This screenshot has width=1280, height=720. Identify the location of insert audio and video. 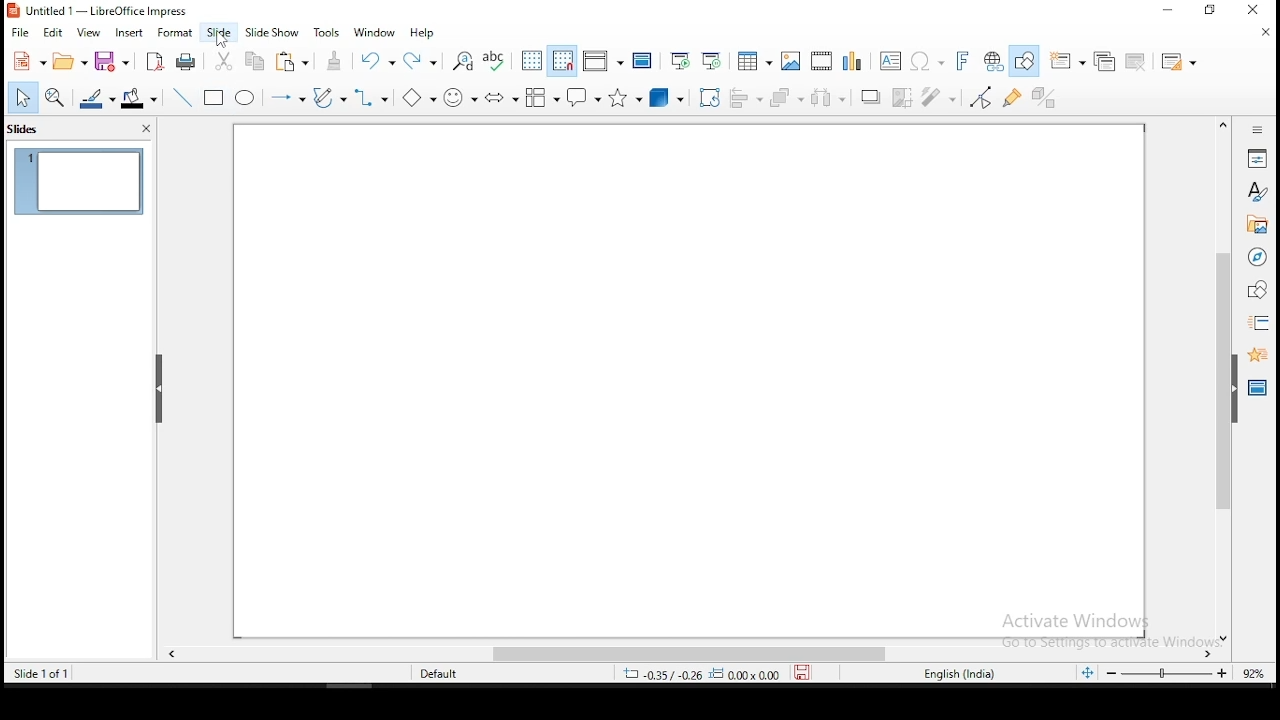
(822, 61).